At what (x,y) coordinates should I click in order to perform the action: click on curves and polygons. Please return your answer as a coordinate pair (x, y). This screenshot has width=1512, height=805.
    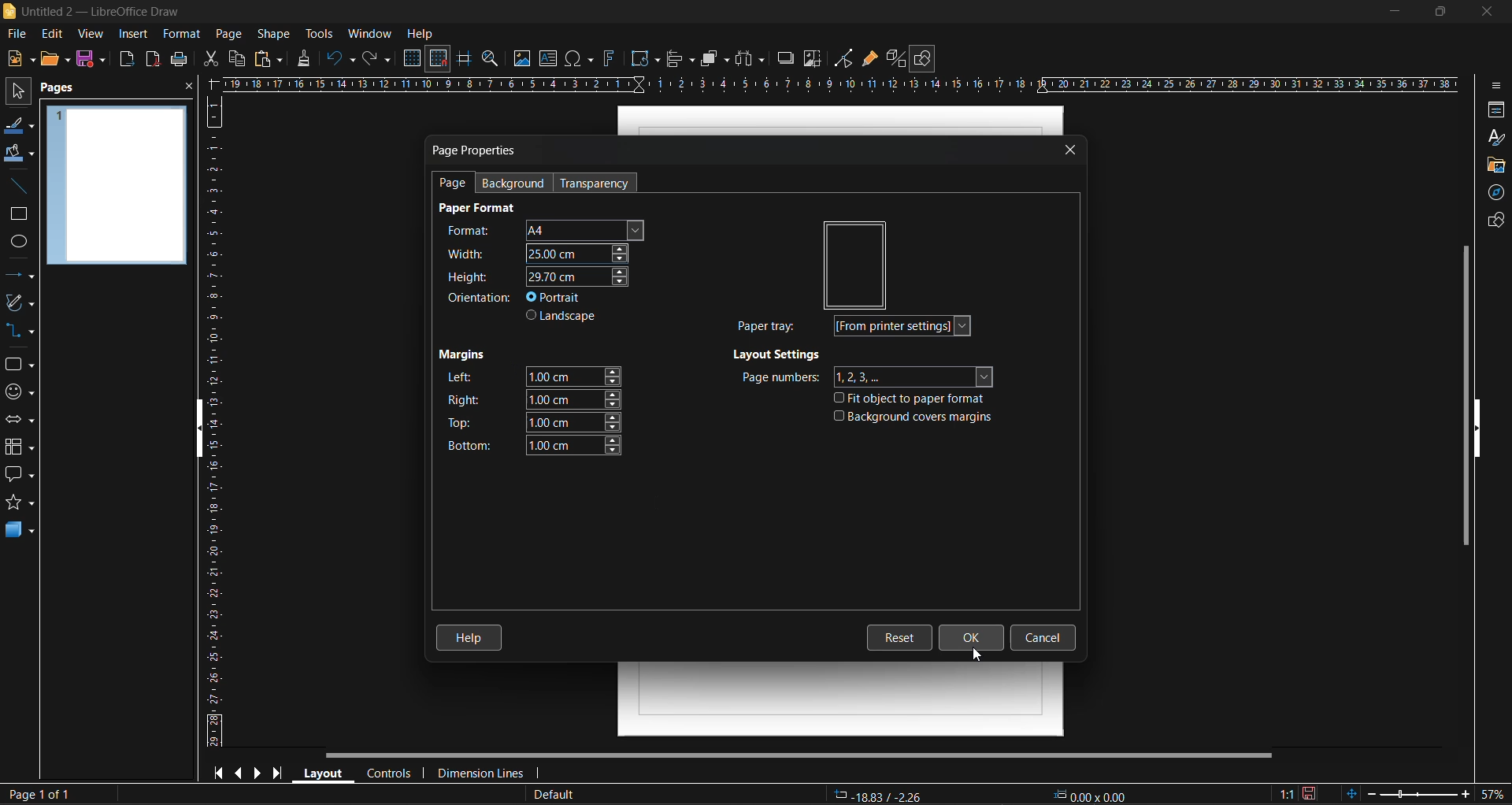
    Looking at the image, I should click on (20, 303).